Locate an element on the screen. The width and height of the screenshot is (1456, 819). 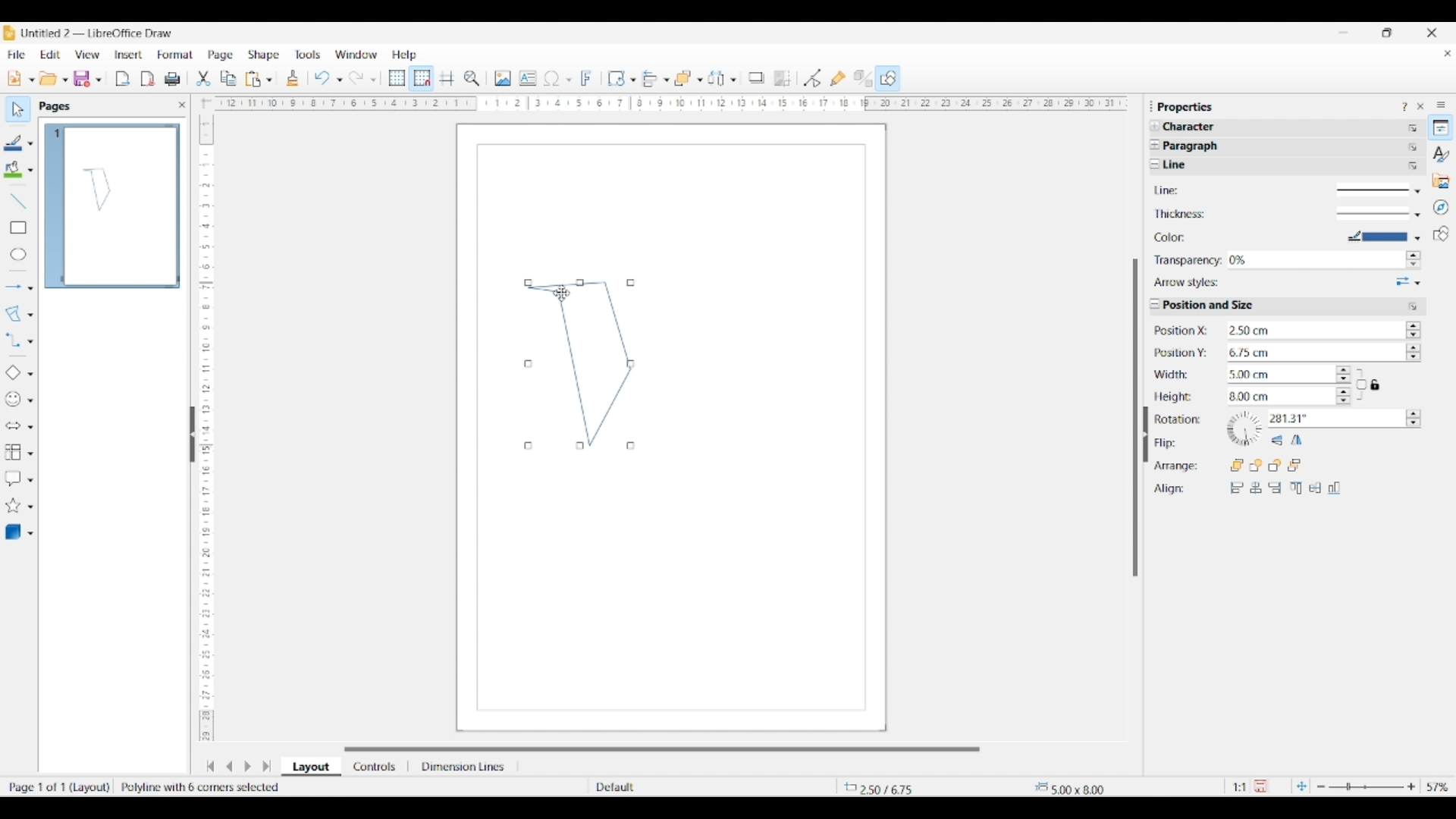
Curve and polygon options is located at coordinates (30, 315).